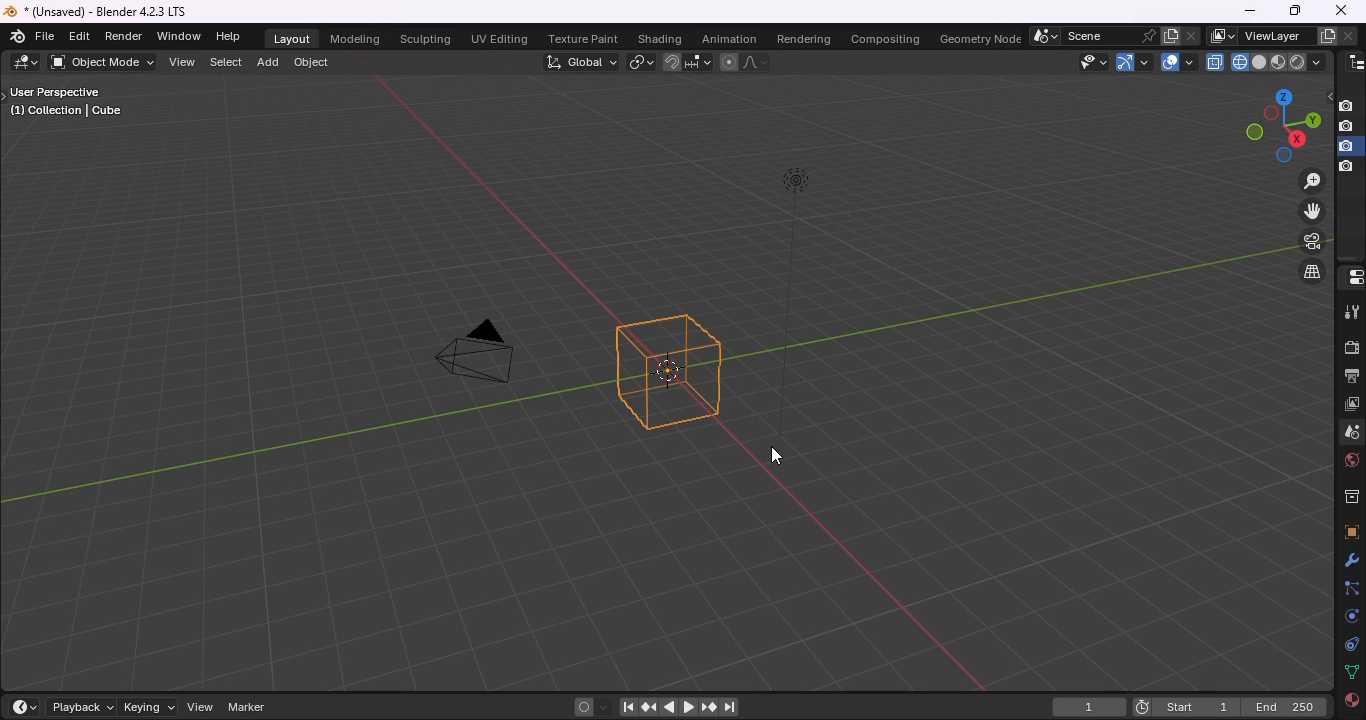  I want to click on add view layer, so click(1324, 35).